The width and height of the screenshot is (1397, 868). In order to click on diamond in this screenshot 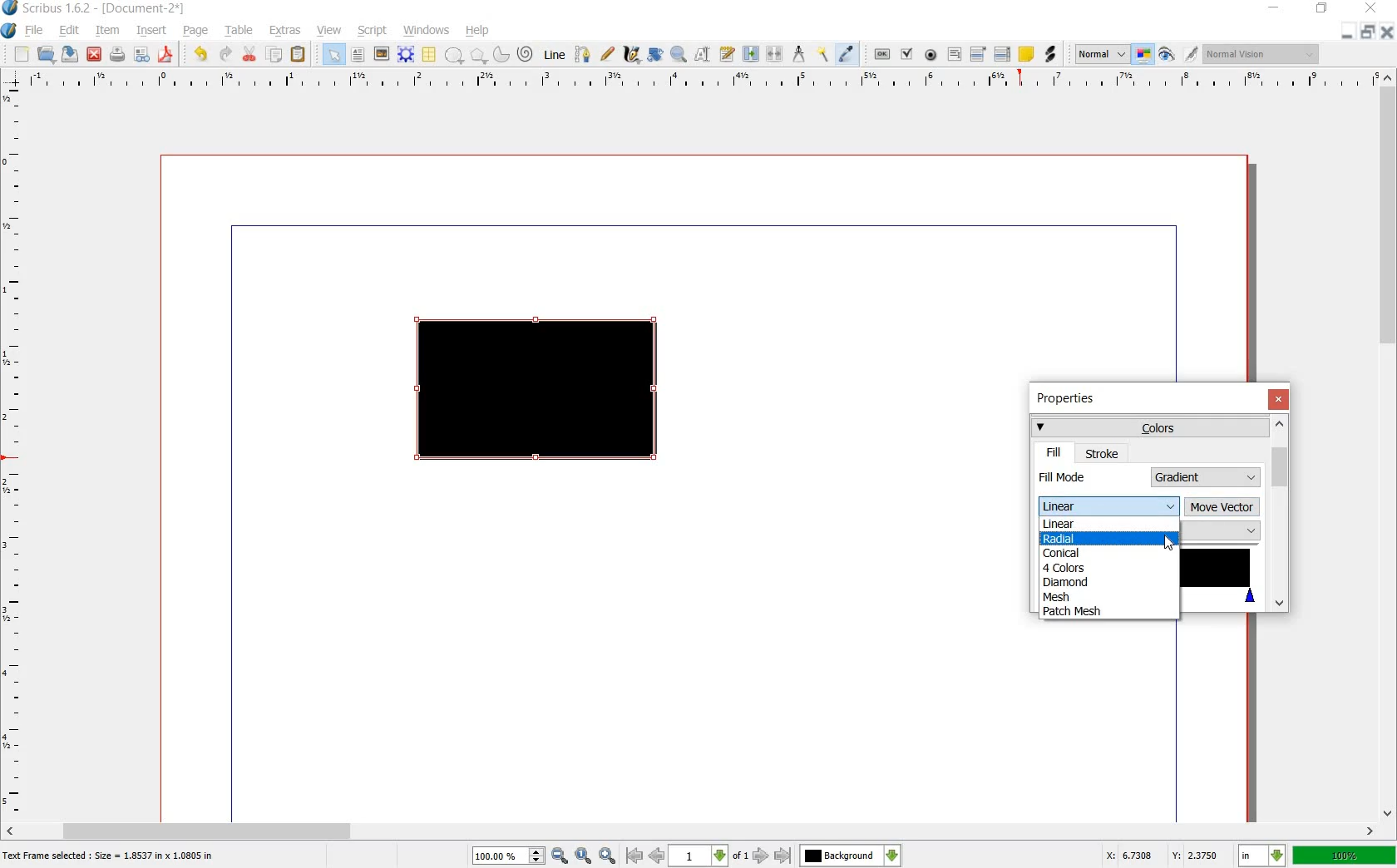, I will do `click(1068, 581)`.